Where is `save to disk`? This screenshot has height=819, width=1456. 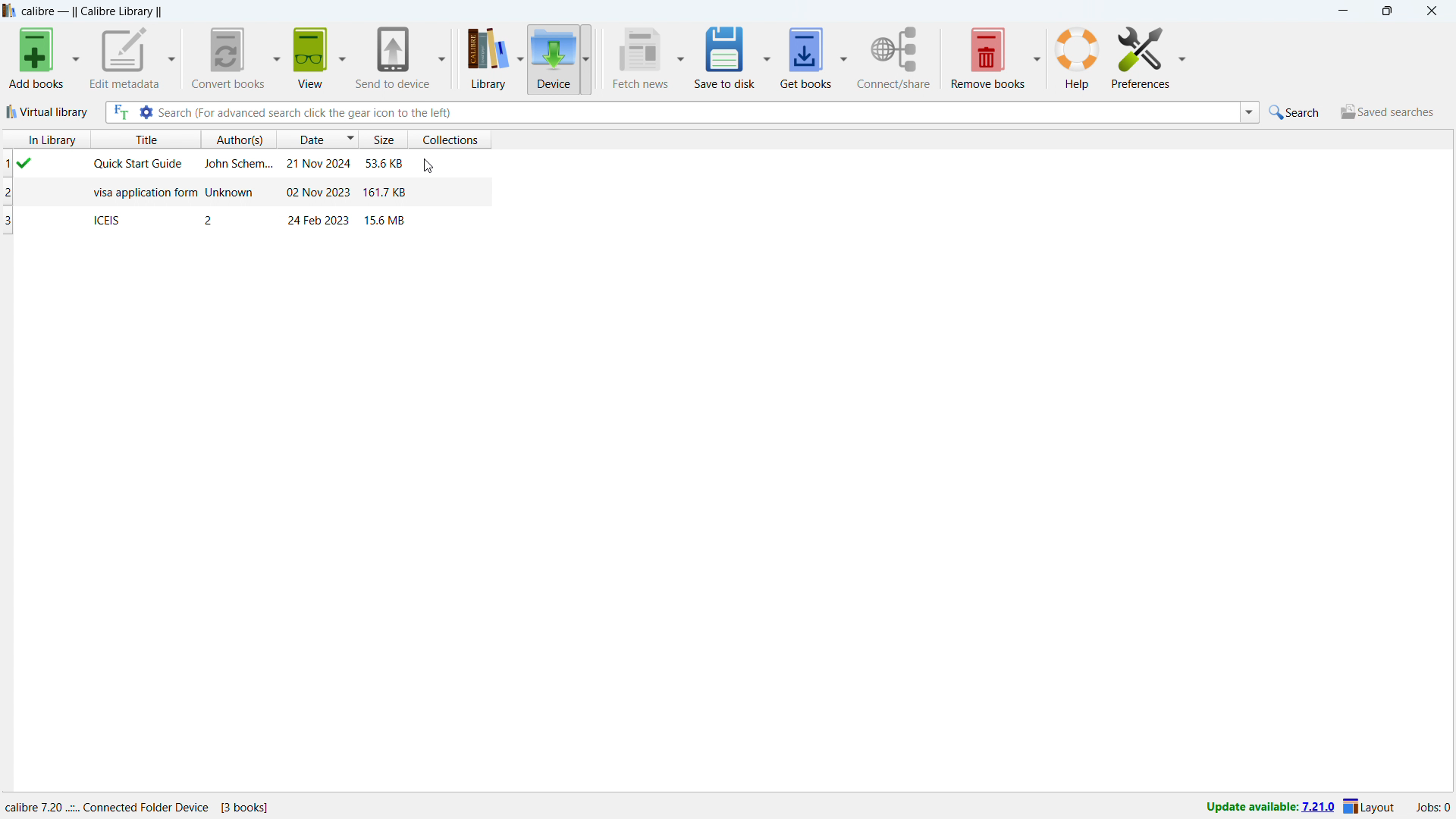 save to disk is located at coordinates (723, 57).